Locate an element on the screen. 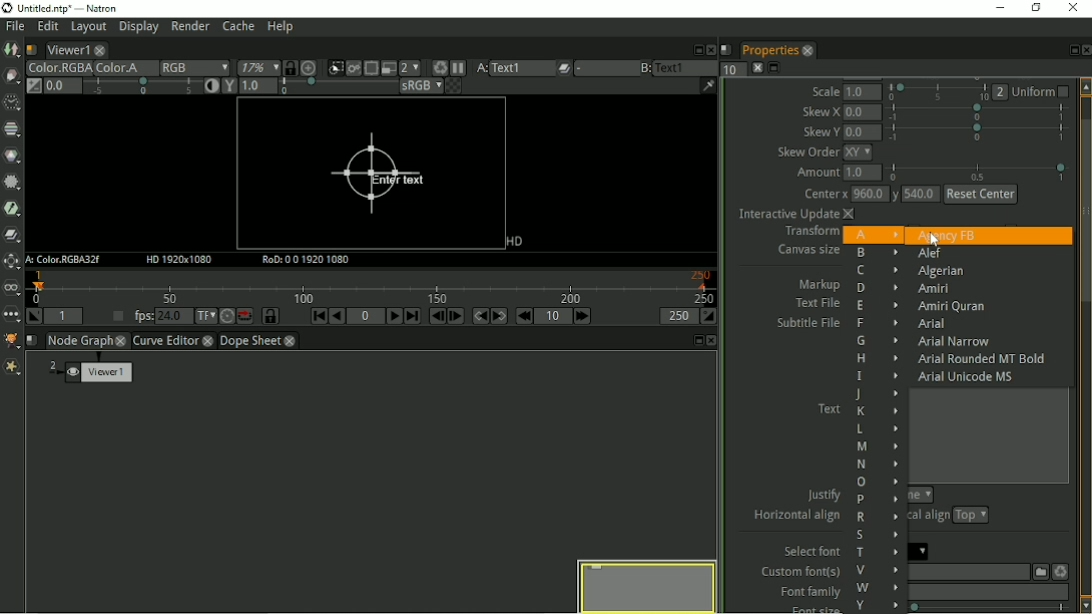 The image size is (1092, 614). Gain is located at coordinates (61, 85).